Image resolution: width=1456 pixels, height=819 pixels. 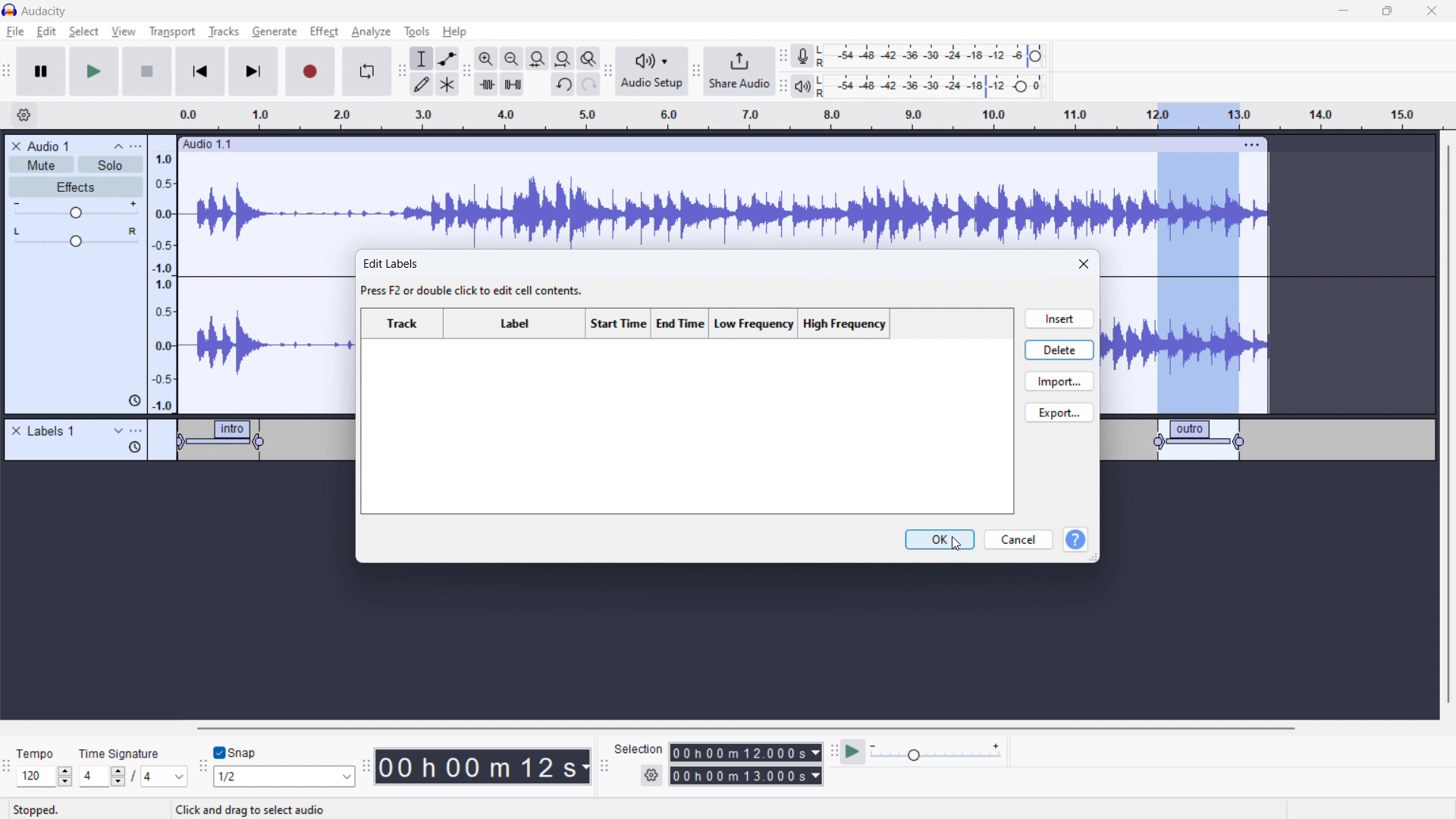 I want to click on horizontal scrollbar, so click(x=626, y=505).